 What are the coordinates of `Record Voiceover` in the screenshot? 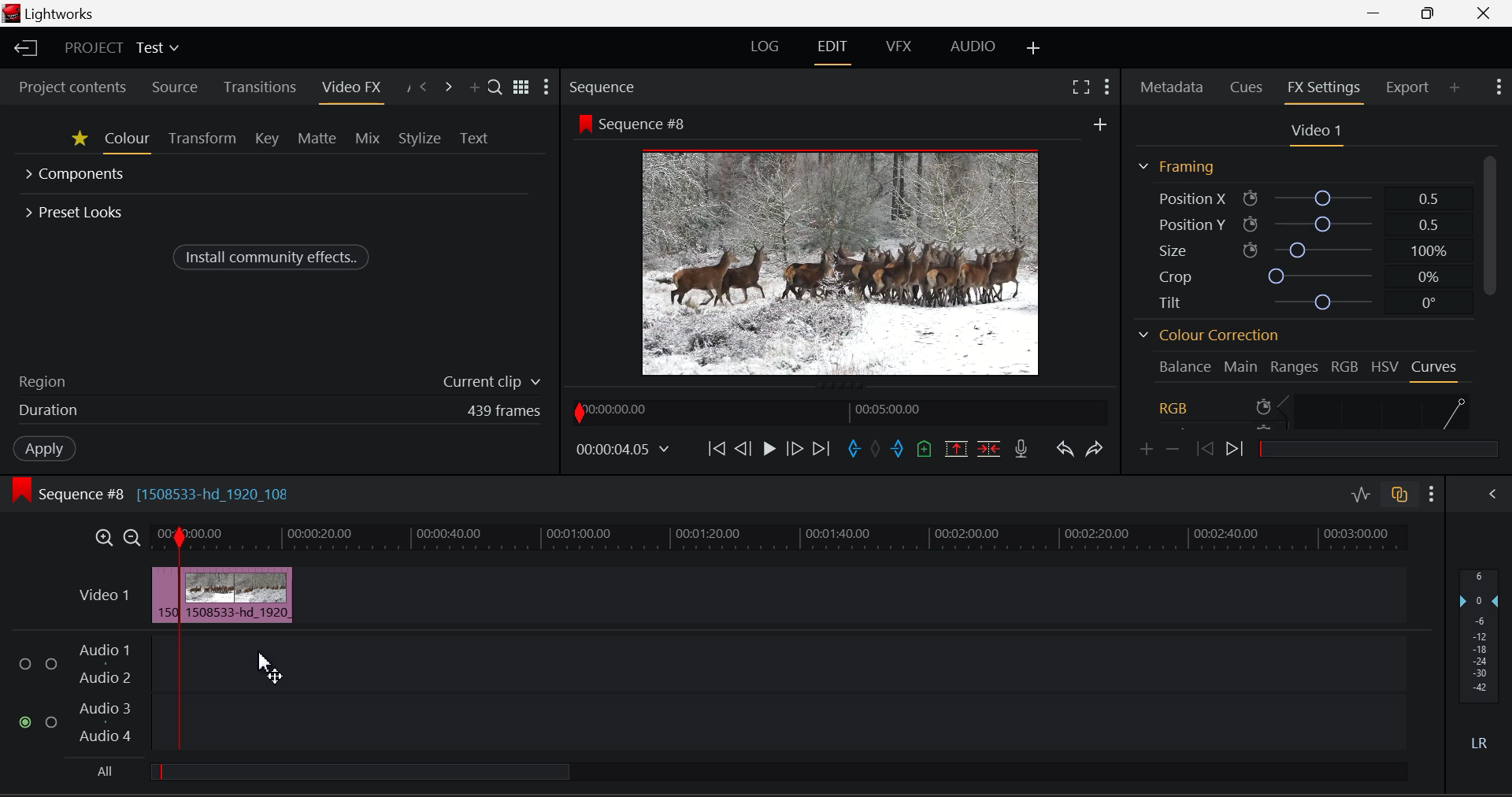 It's located at (1020, 450).